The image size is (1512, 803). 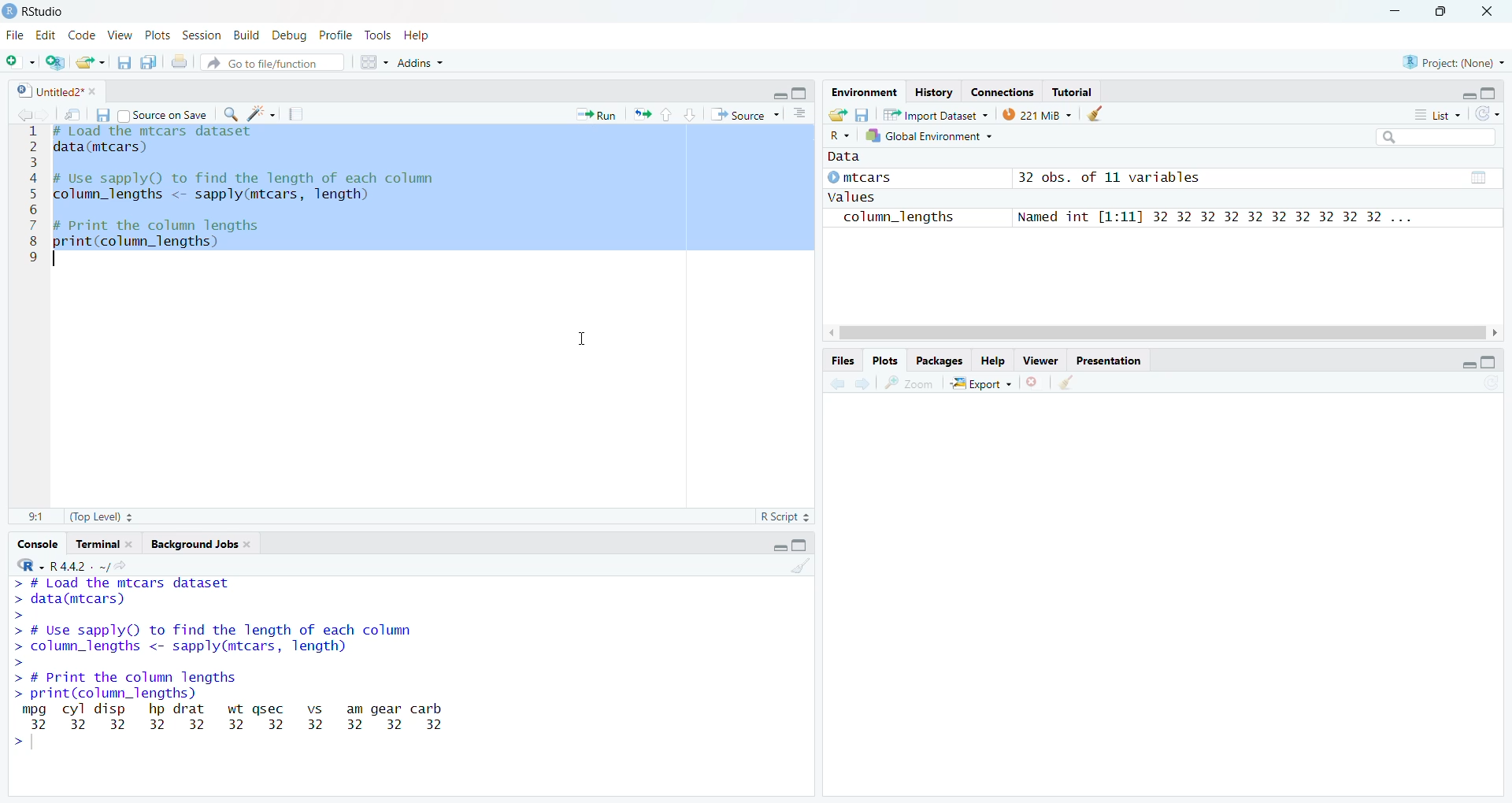 What do you see at coordinates (928, 135) in the screenshot?
I see `Global Environment` at bounding box center [928, 135].